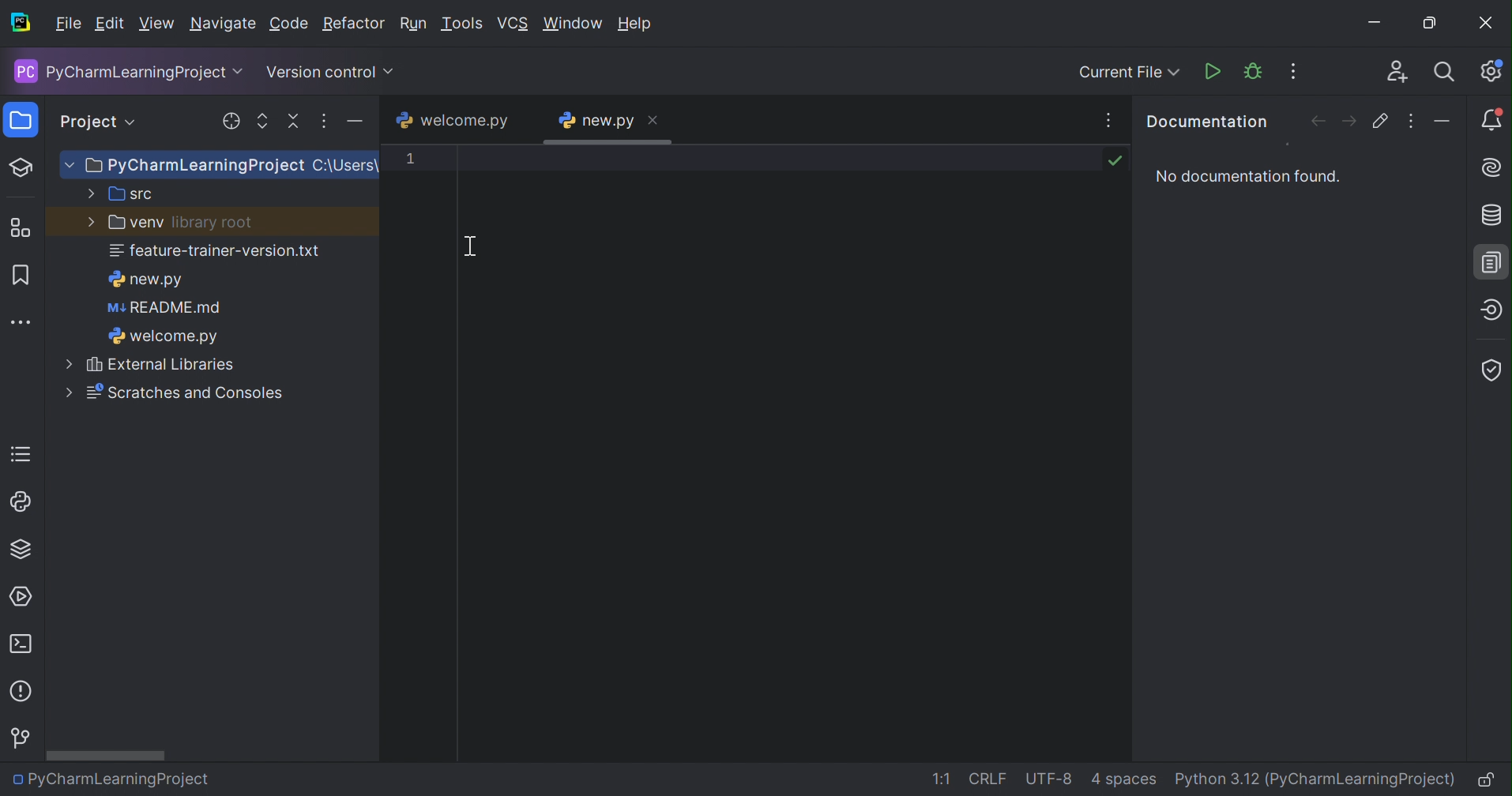  Describe the element at coordinates (1213, 71) in the screenshot. I see `Run 'new.py''` at that location.